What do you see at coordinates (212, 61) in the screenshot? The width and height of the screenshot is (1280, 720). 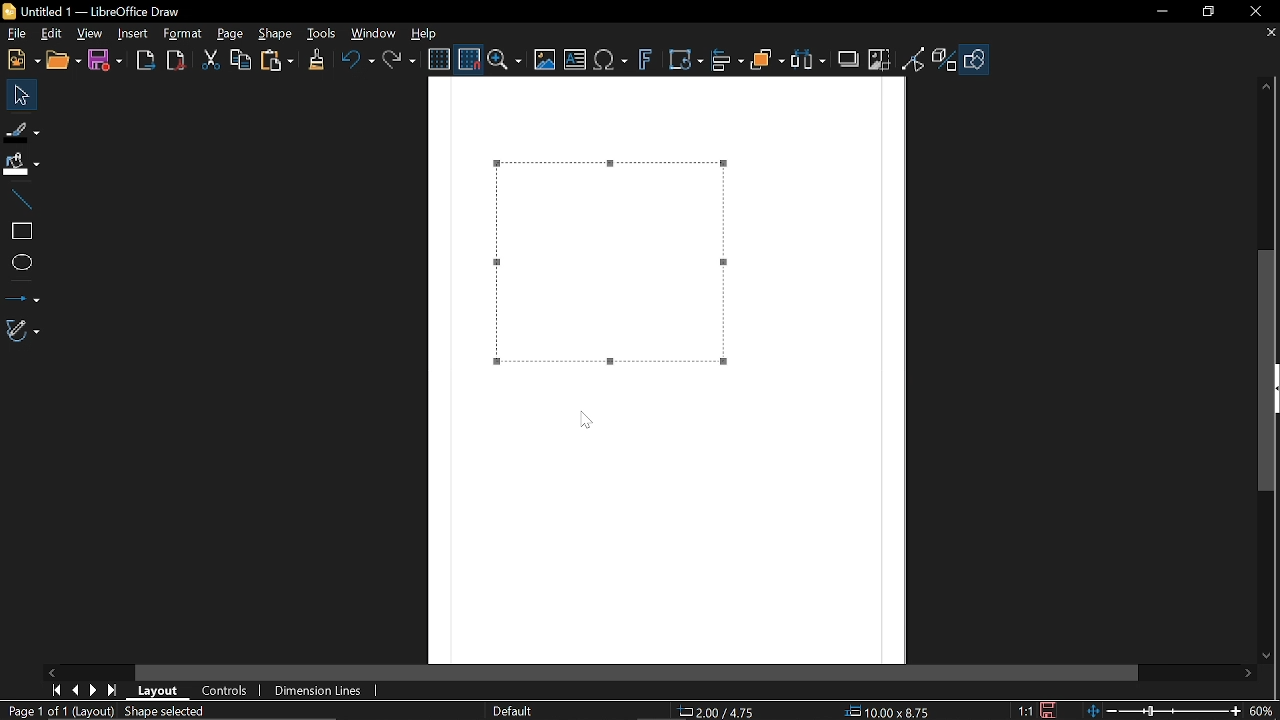 I see `Cut` at bounding box center [212, 61].